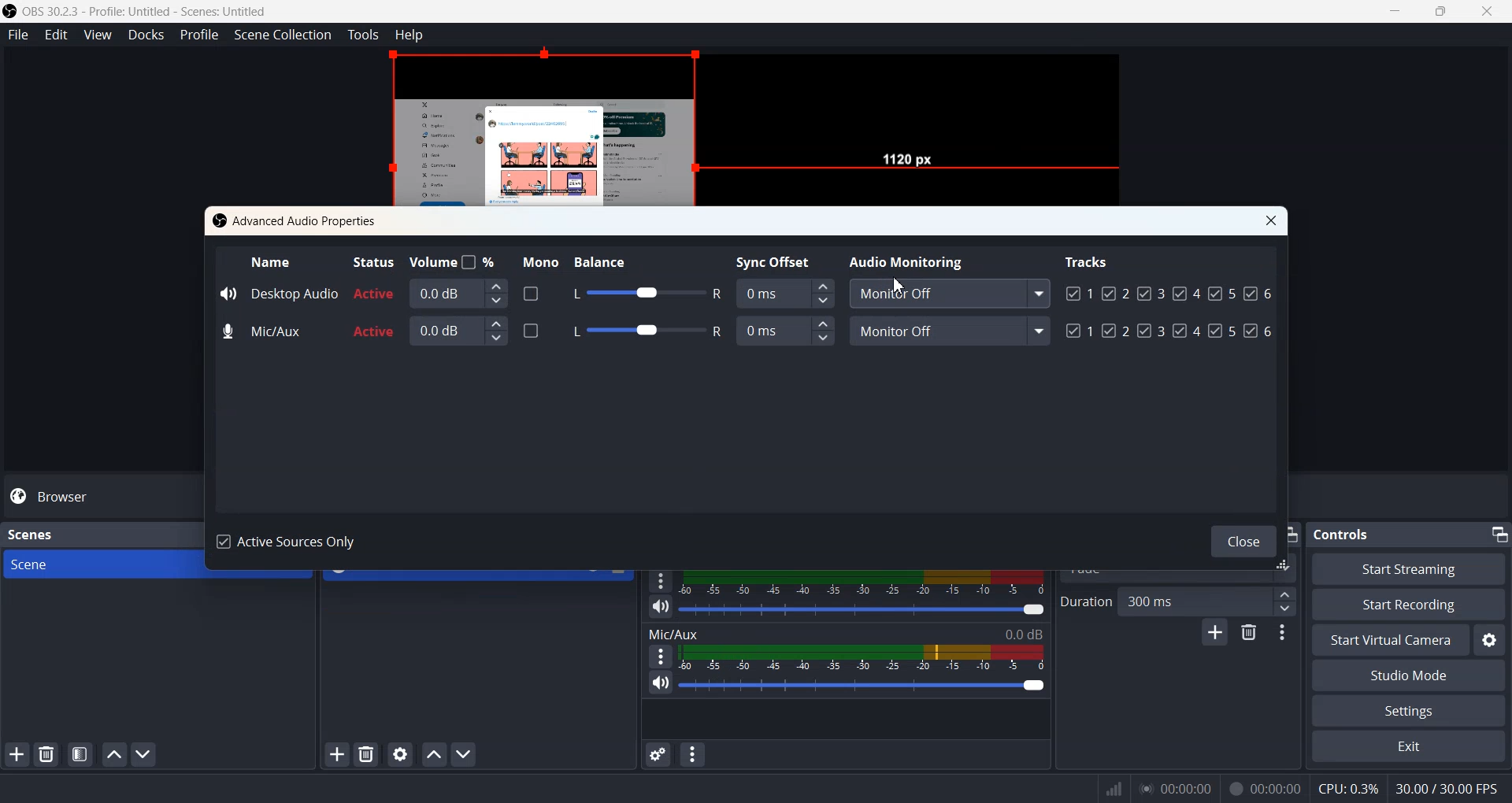 This screenshot has height=803, width=1512. I want to click on Profile, so click(200, 35).